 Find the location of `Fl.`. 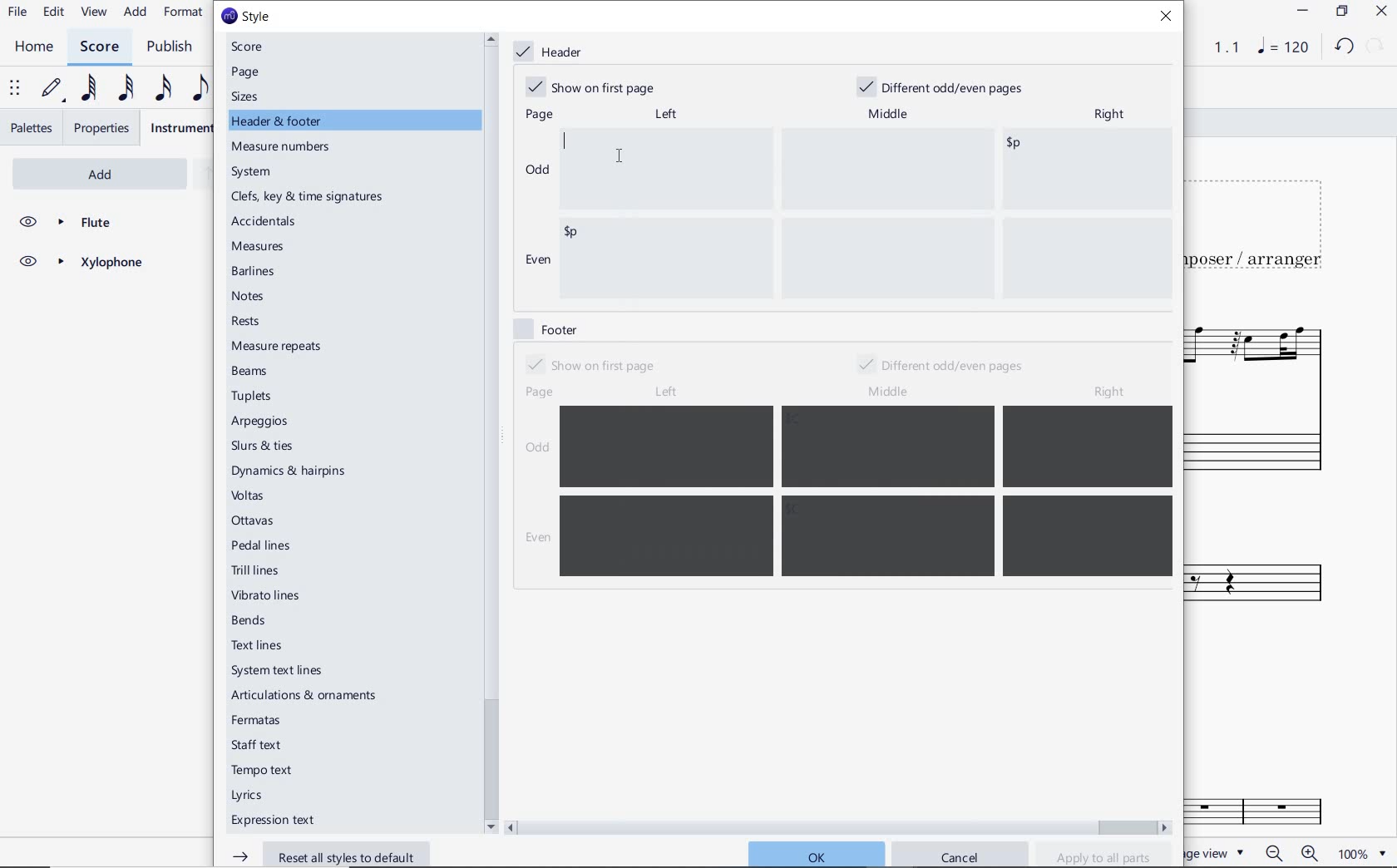

Fl. is located at coordinates (1281, 806).